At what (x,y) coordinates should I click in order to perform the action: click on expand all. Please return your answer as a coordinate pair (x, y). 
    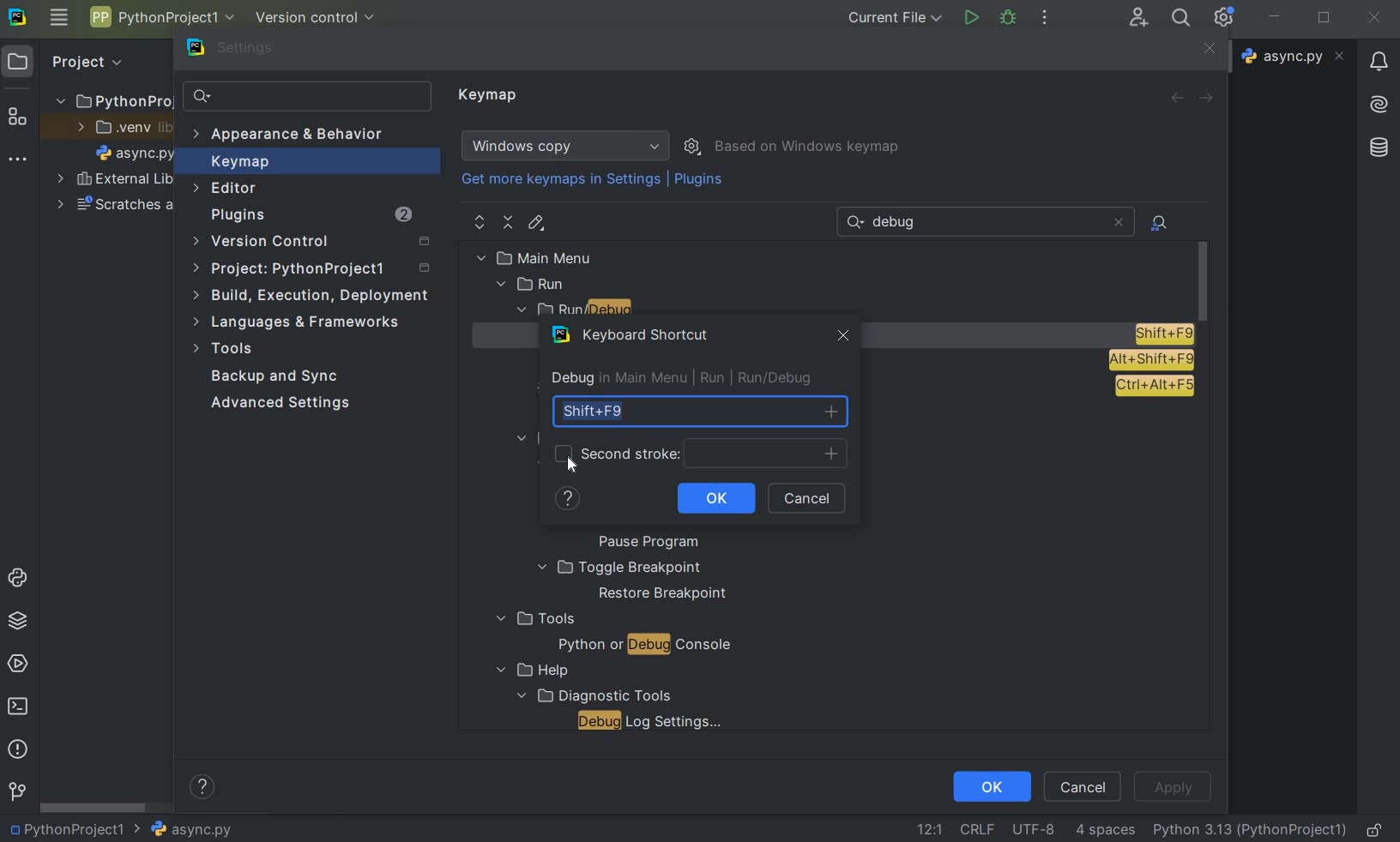
    Looking at the image, I should click on (480, 223).